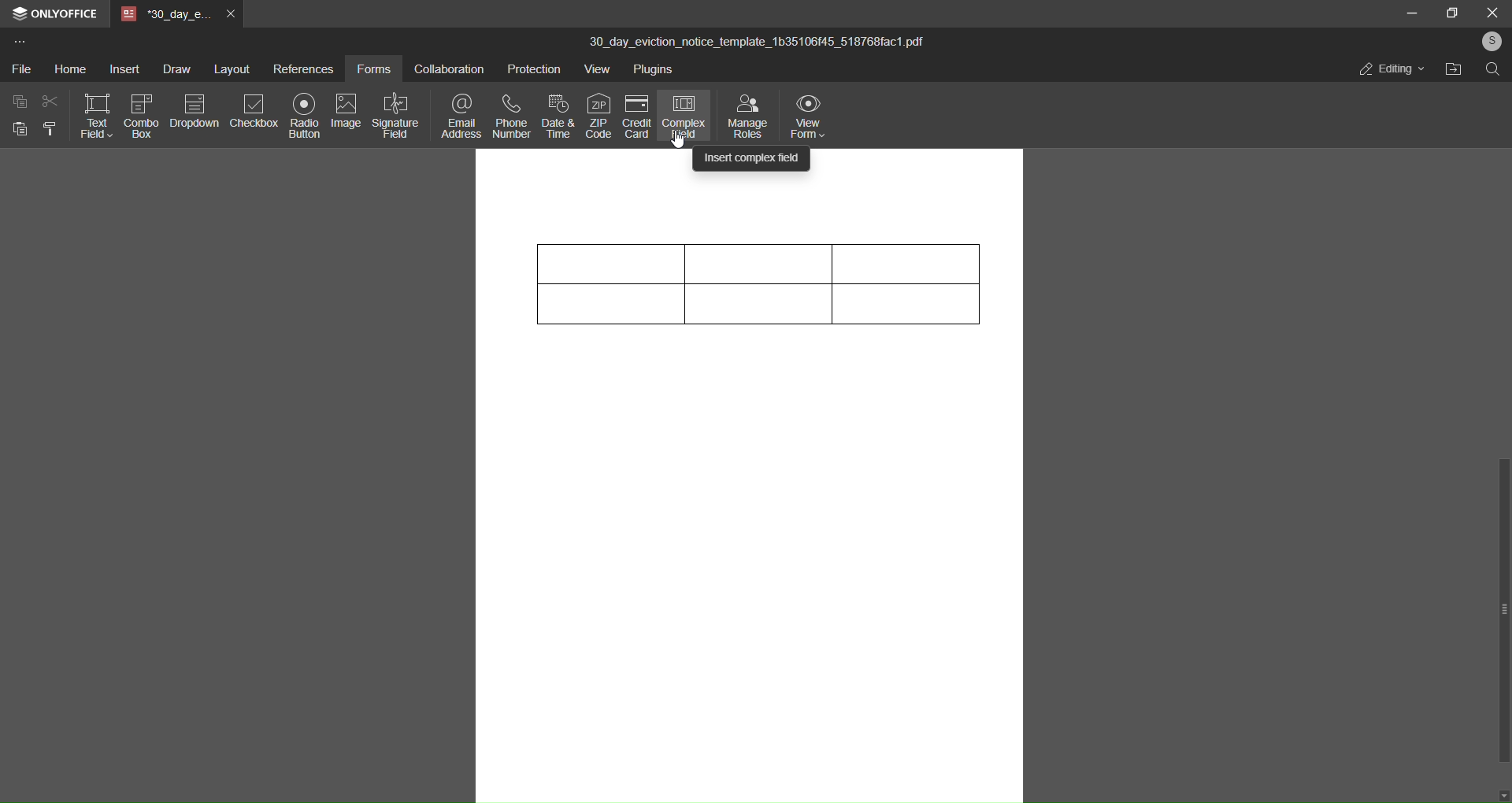 Image resolution: width=1512 pixels, height=803 pixels. What do you see at coordinates (64, 15) in the screenshot?
I see `onlyoffice` at bounding box center [64, 15].